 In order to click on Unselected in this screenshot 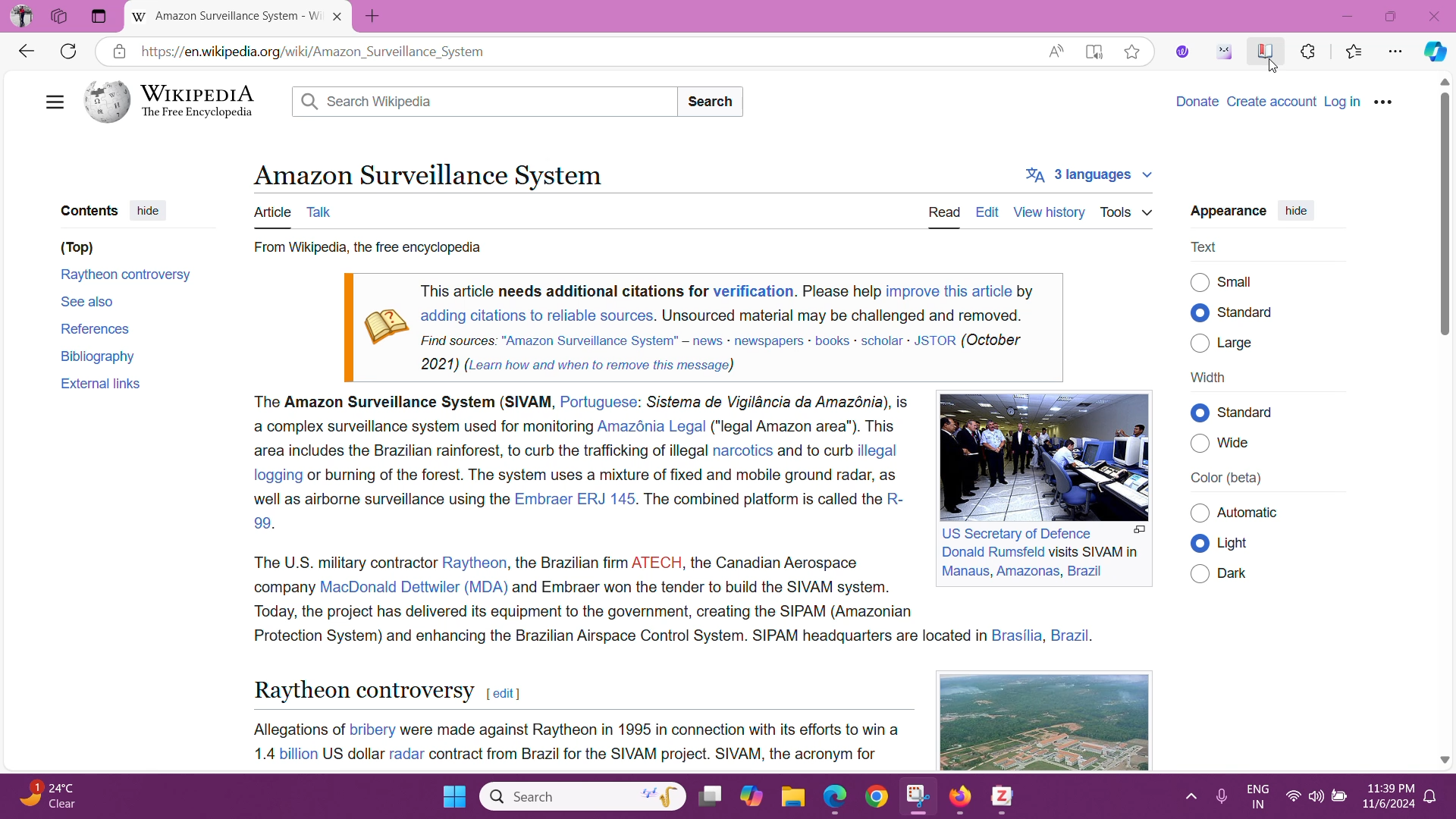, I will do `click(1200, 573)`.